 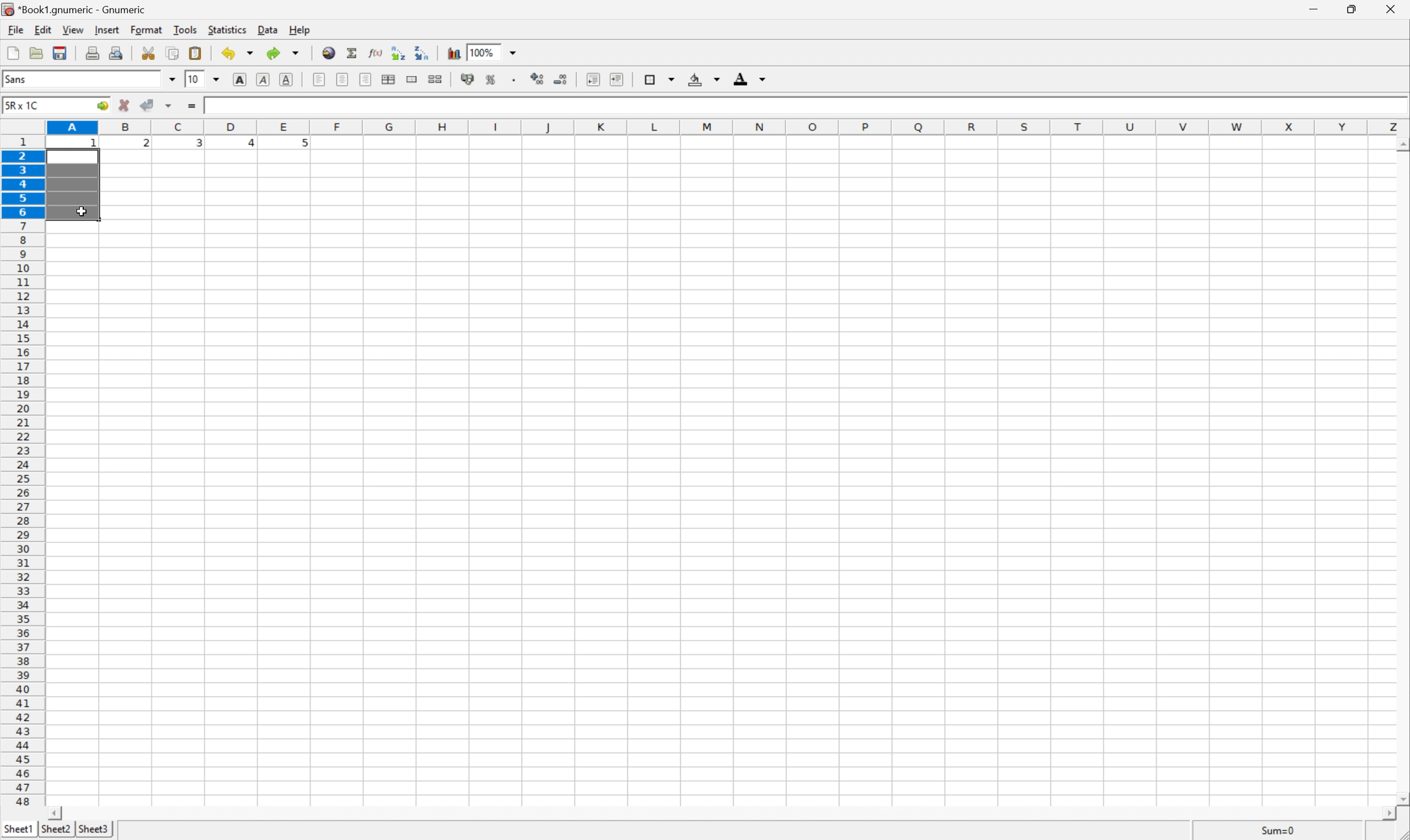 I want to click on minimize, so click(x=1319, y=10).